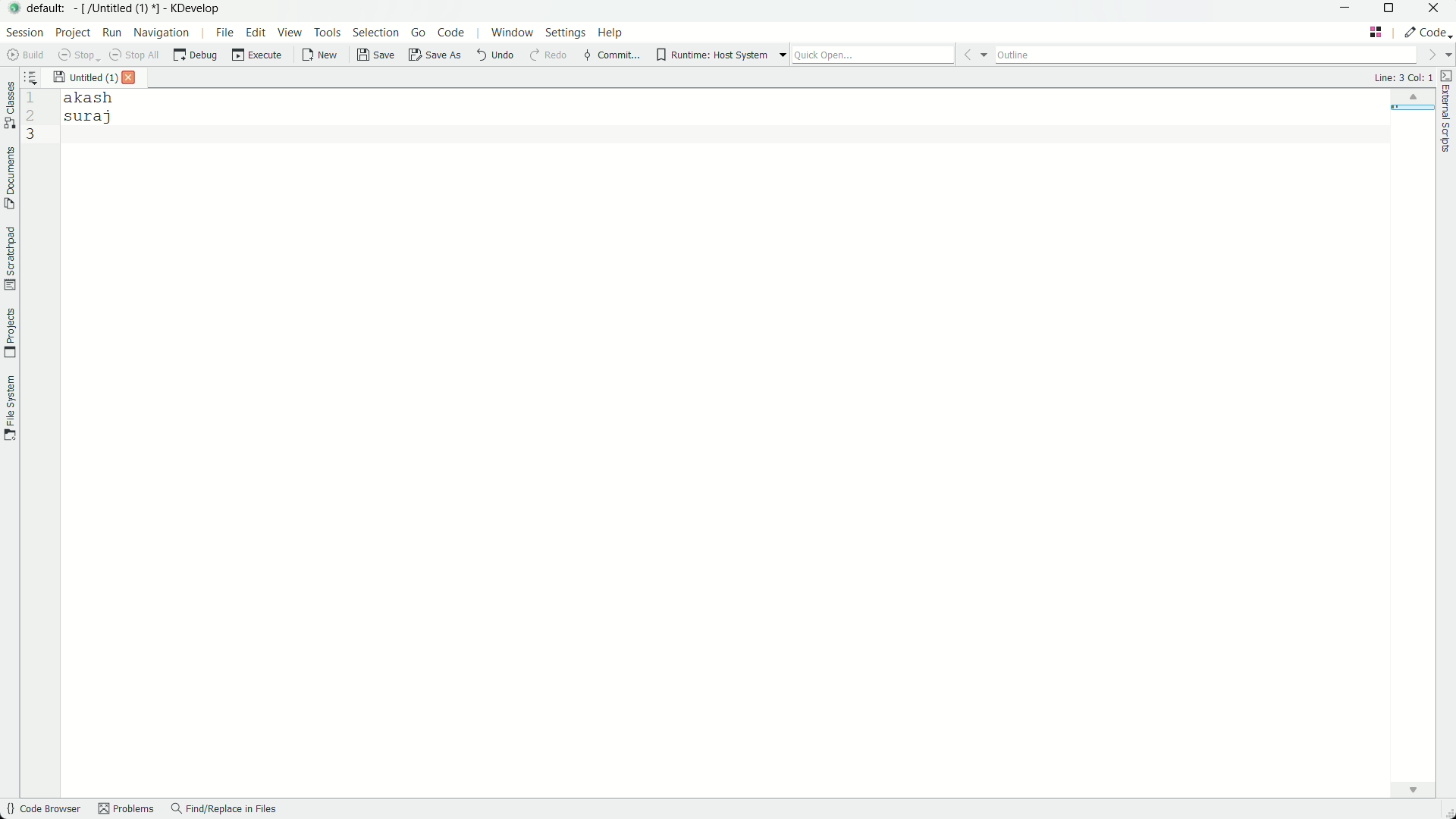 The height and width of the screenshot is (819, 1456). What do you see at coordinates (610, 57) in the screenshot?
I see `commit` at bounding box center [610, 57].